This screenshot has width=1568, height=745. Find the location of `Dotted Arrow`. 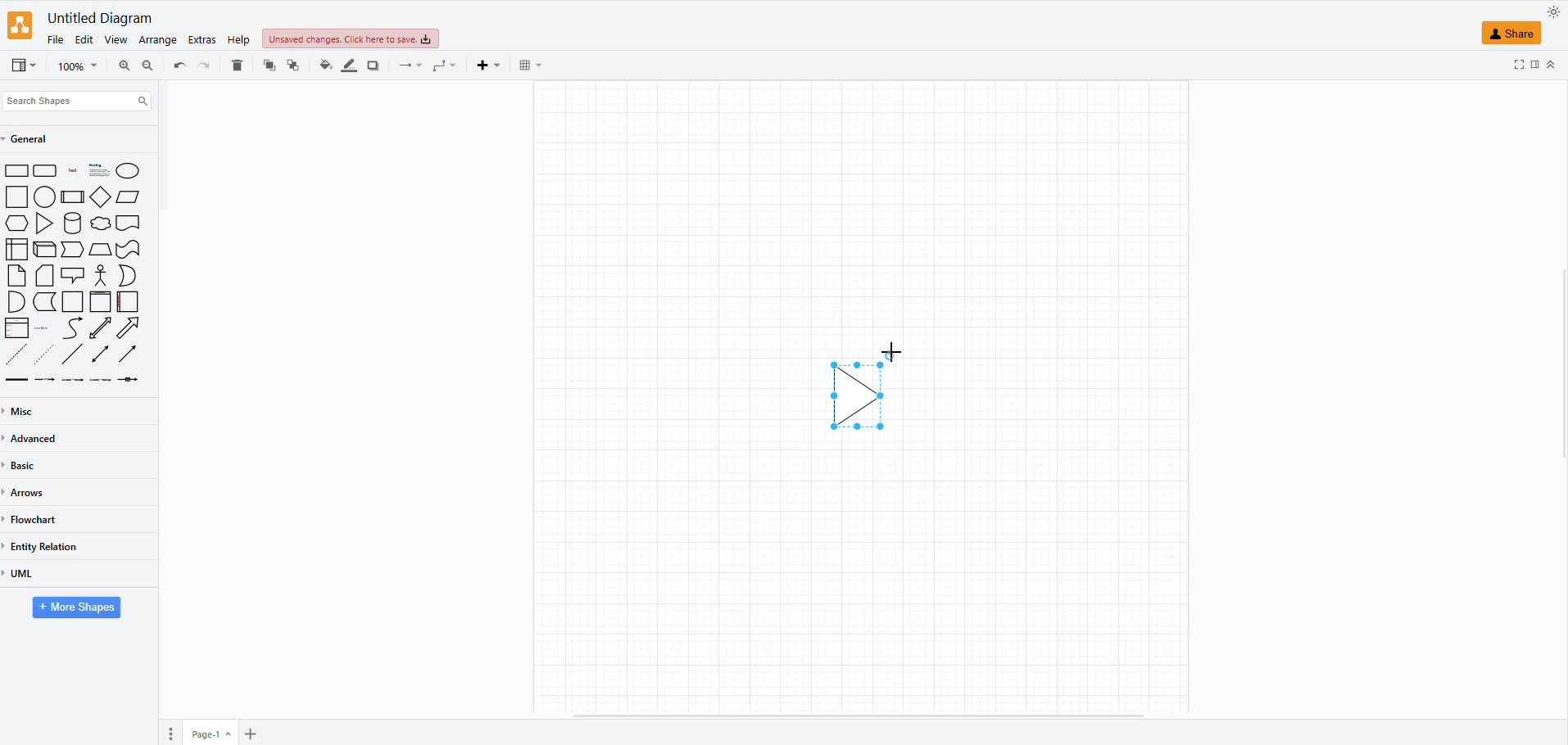

Dotted Arrow is located at coordinates (47, 354).